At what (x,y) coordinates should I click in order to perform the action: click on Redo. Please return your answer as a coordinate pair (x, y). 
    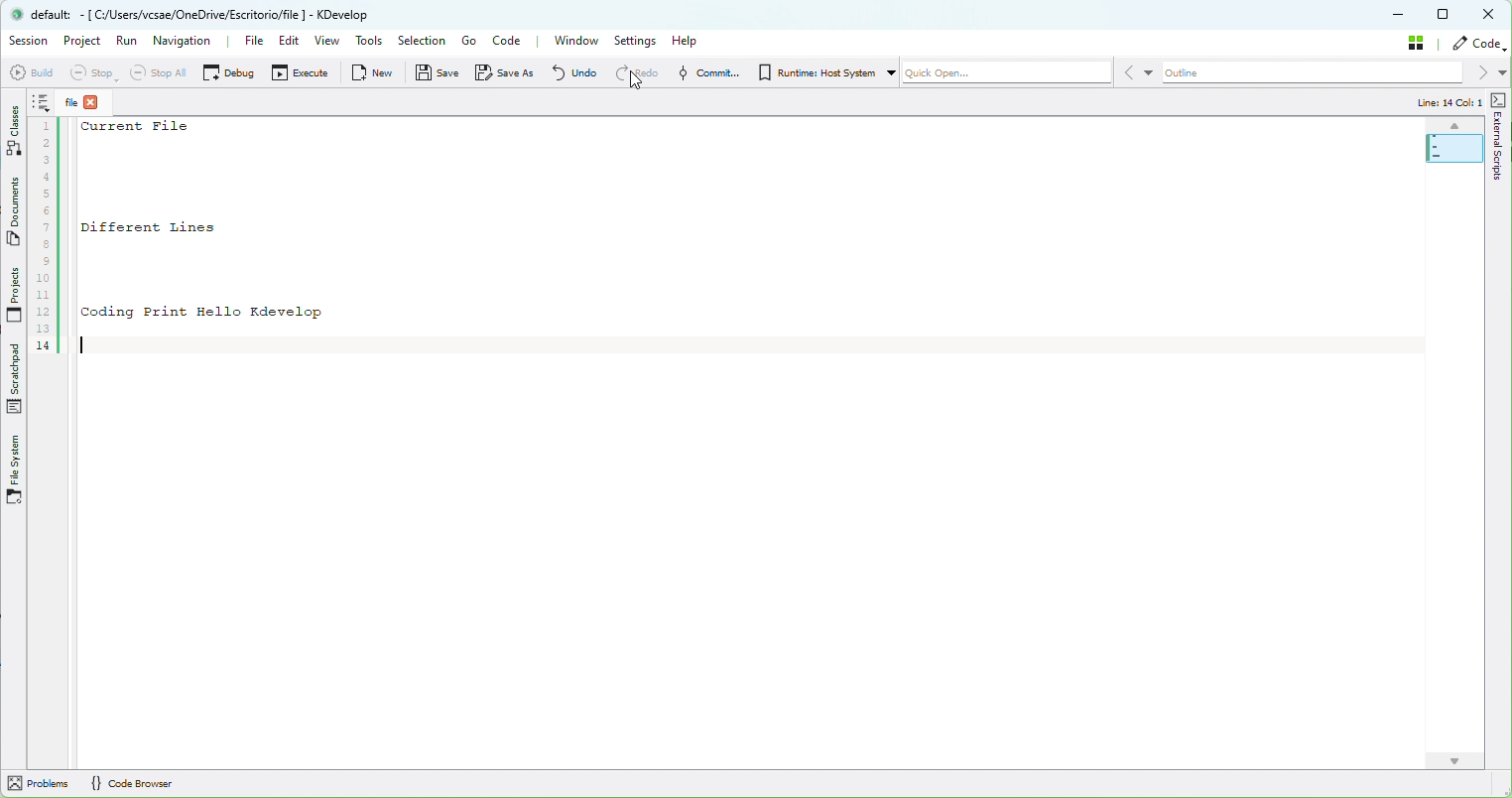
    Looking at the image, I should click on (634, 71).